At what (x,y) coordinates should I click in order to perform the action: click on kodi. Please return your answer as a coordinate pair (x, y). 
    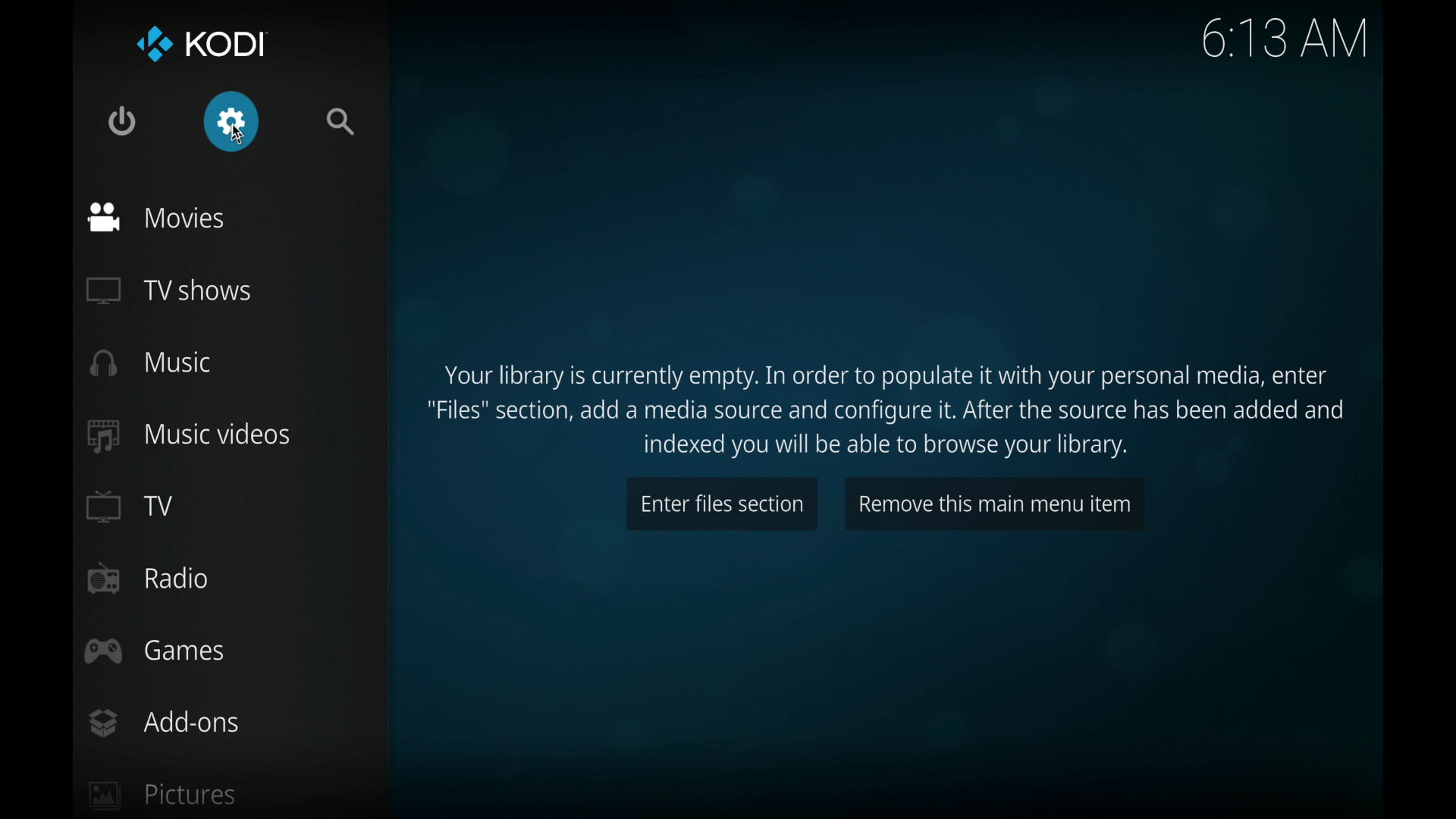
    Looking at the image, I should click on (200, 43).